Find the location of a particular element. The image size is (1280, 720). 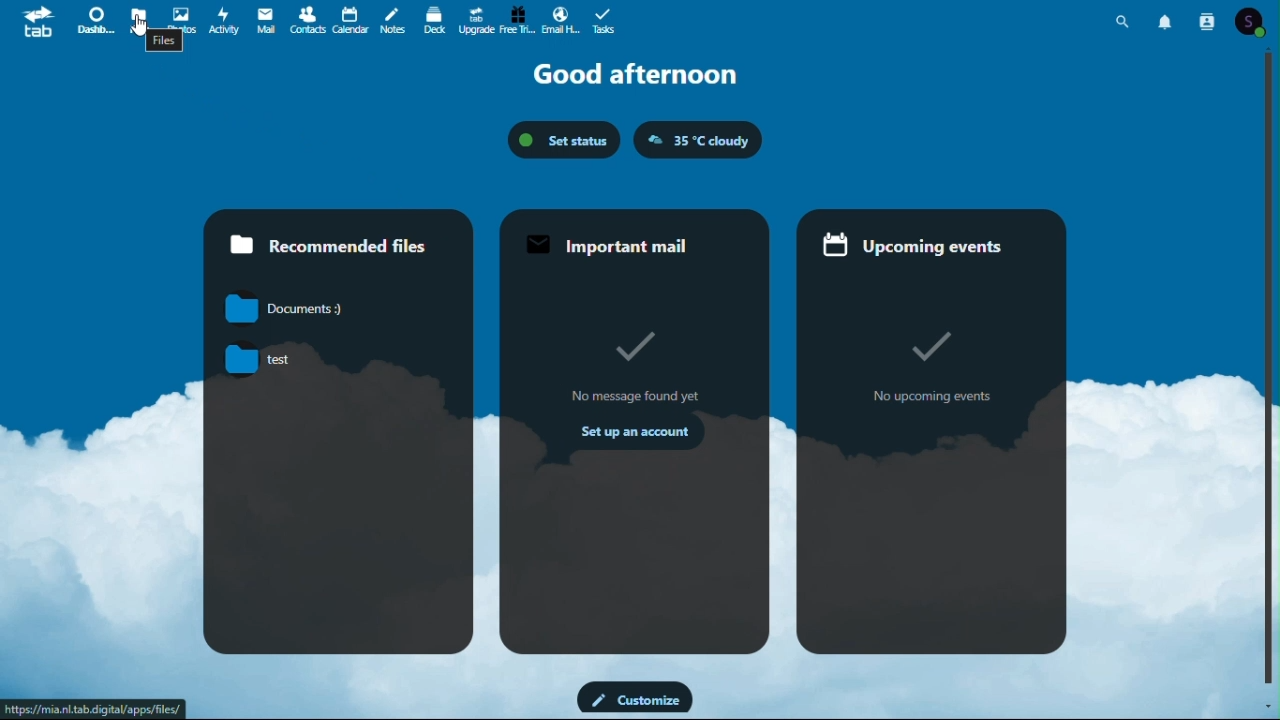

Recommended files is located at coordinates (342, 236).